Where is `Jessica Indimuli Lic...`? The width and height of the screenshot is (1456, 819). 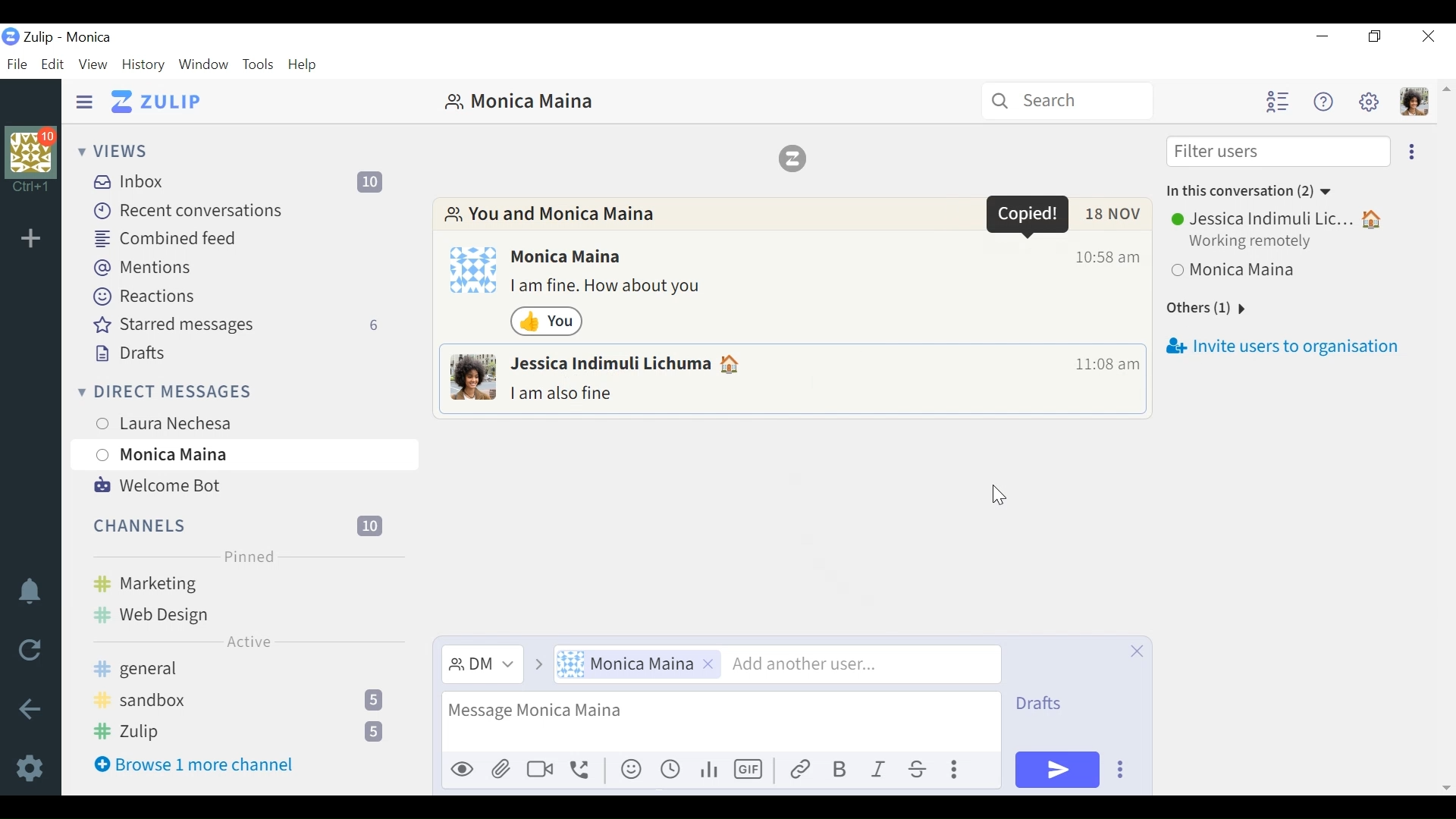 Jessica Indimuli Lic... is located at coordinates (1278, 219).